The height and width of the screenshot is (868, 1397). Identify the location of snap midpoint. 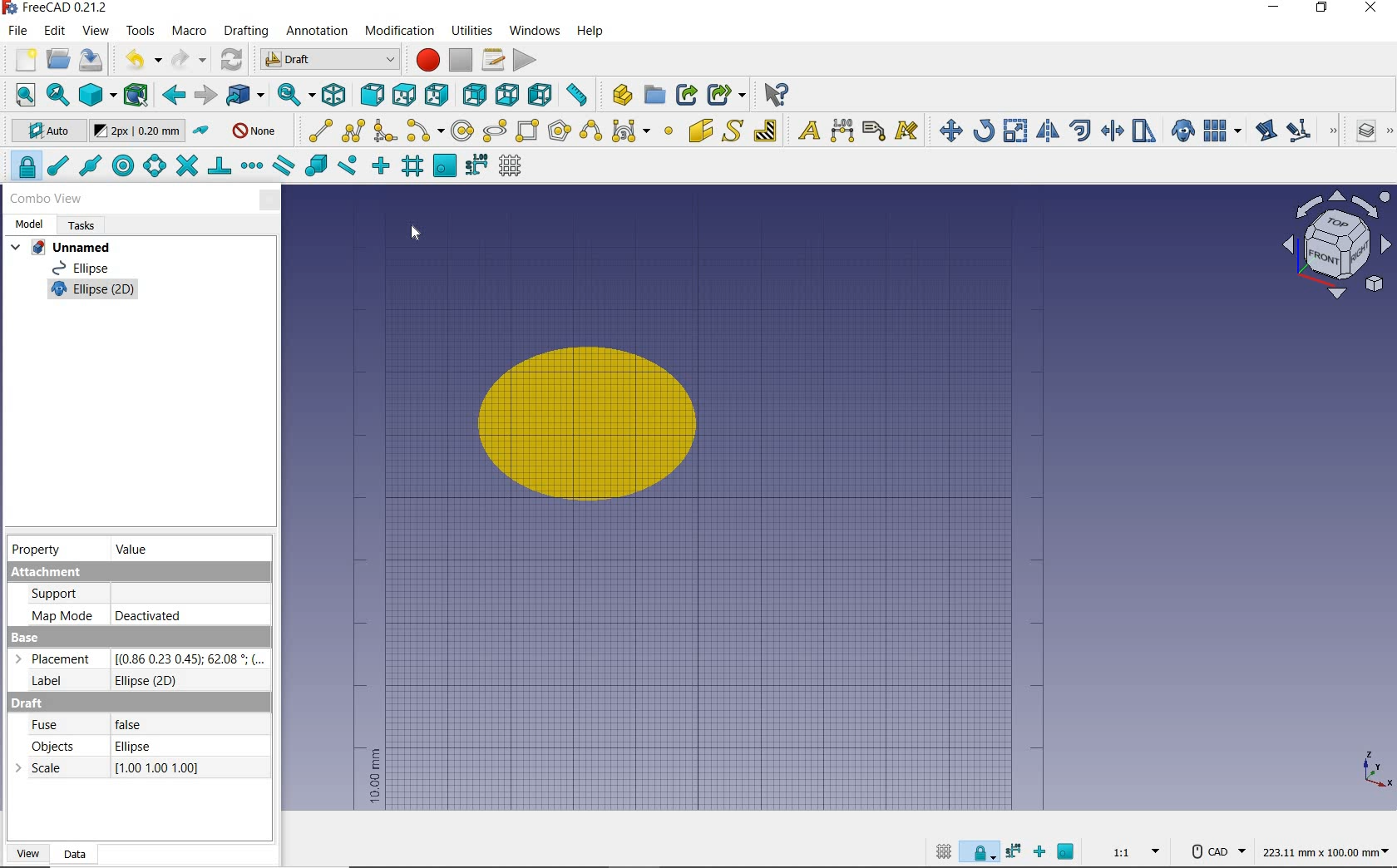
(91, 165).